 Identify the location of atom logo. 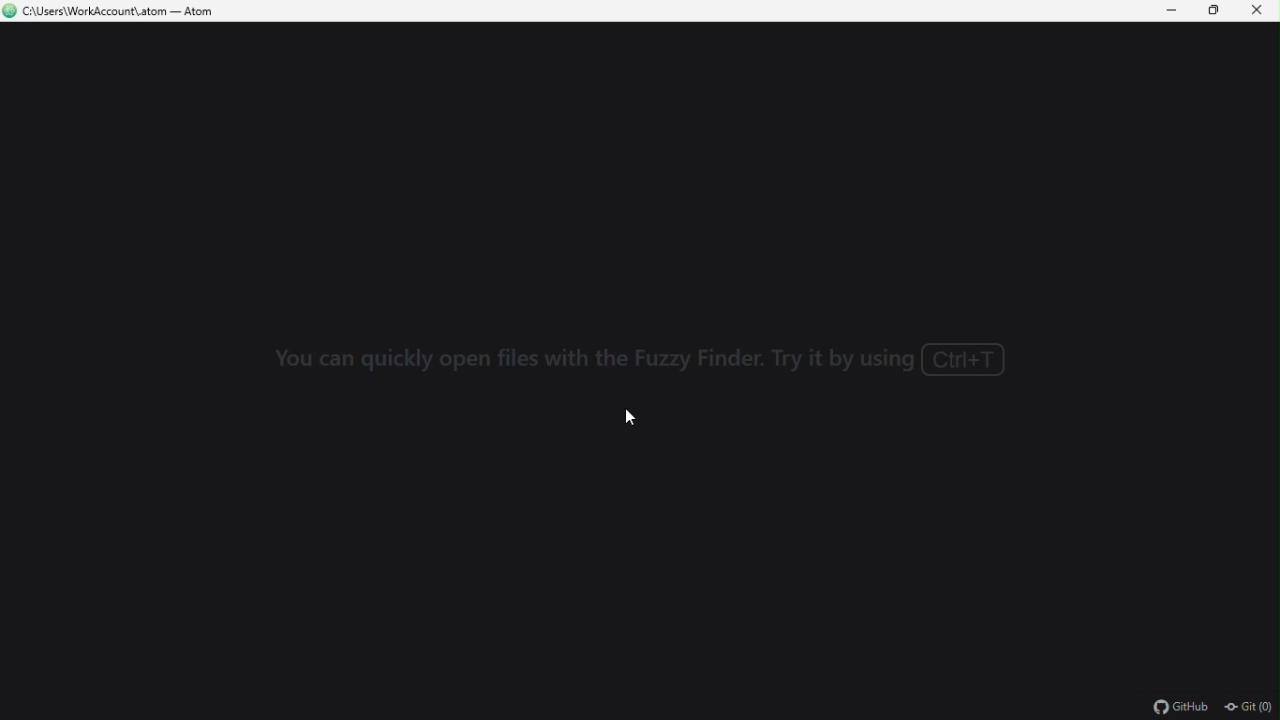
(10, 10).